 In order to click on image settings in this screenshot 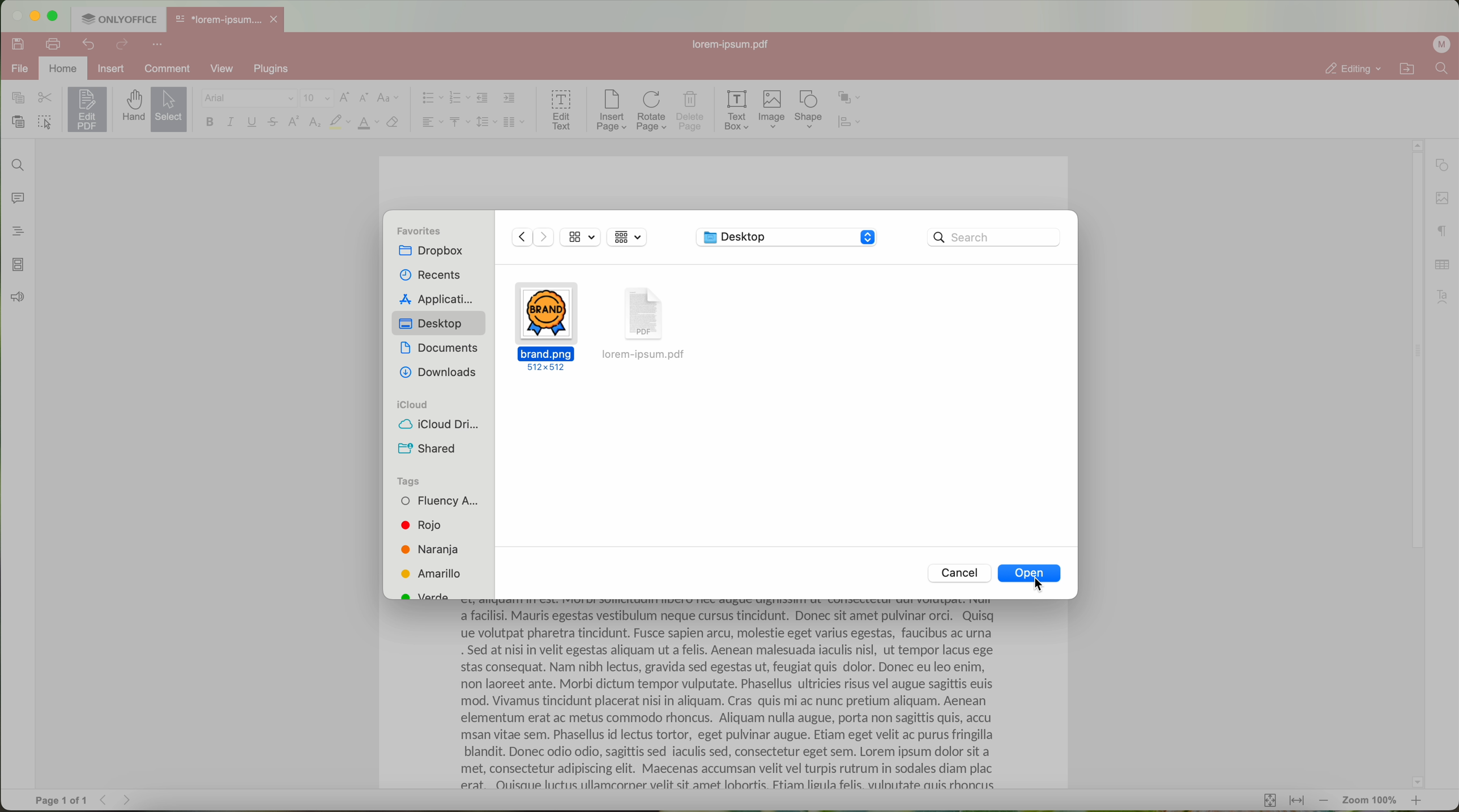, I will do `click(1442, 199)`.